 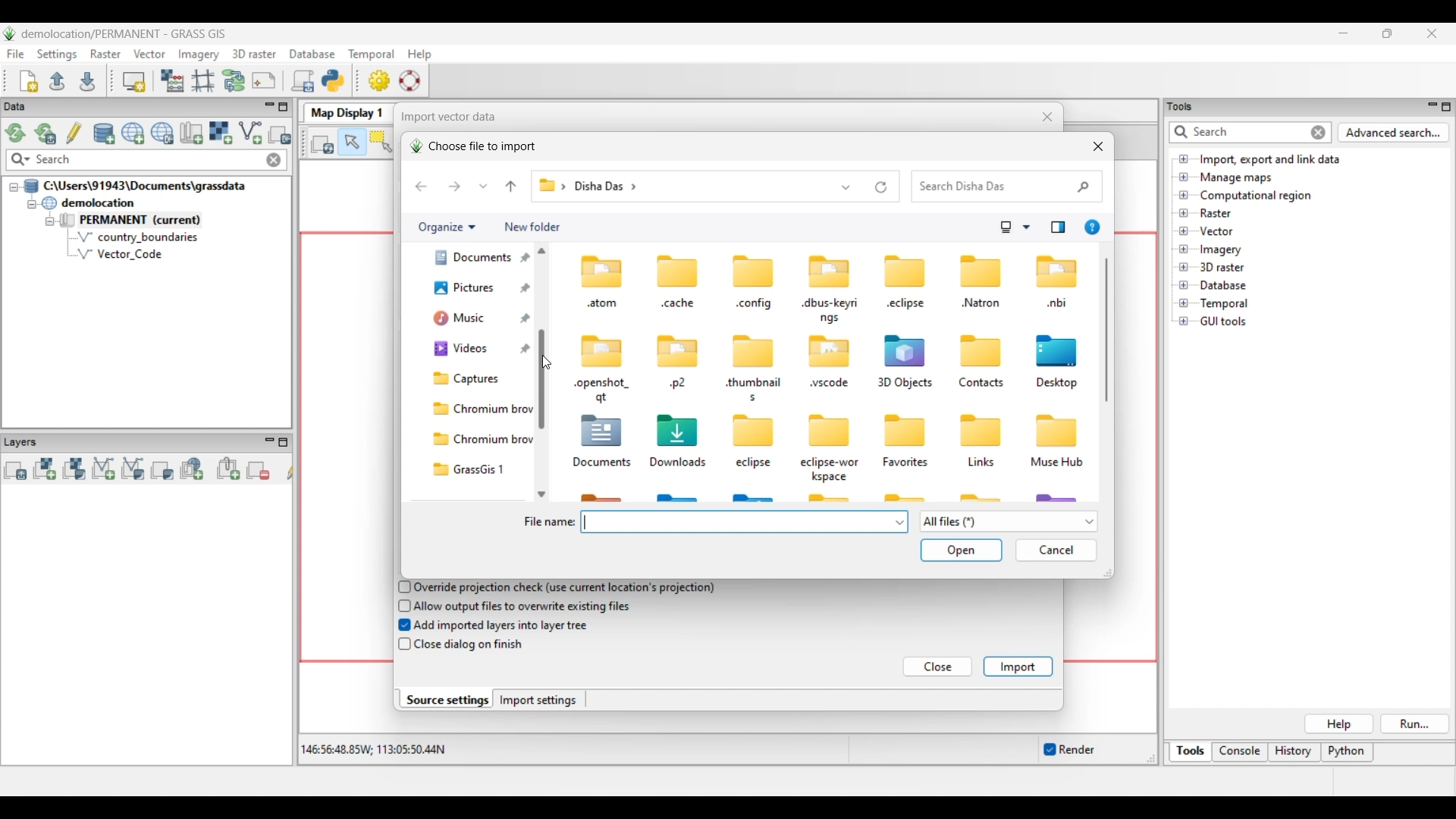 I want to click on Maximize Layers panel, so click(x=284, y=442).